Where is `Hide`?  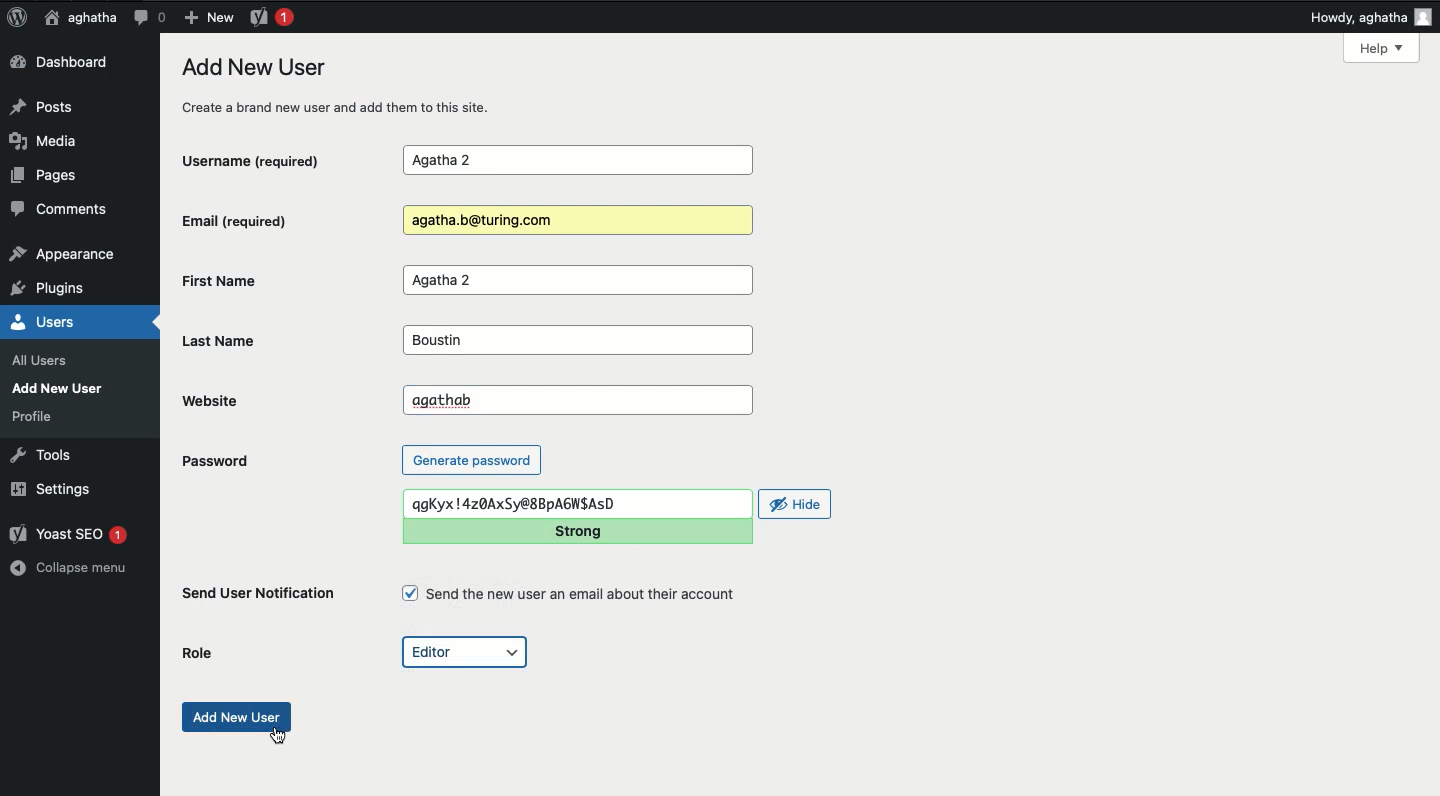 Hide is located at coordinates (796, 504).